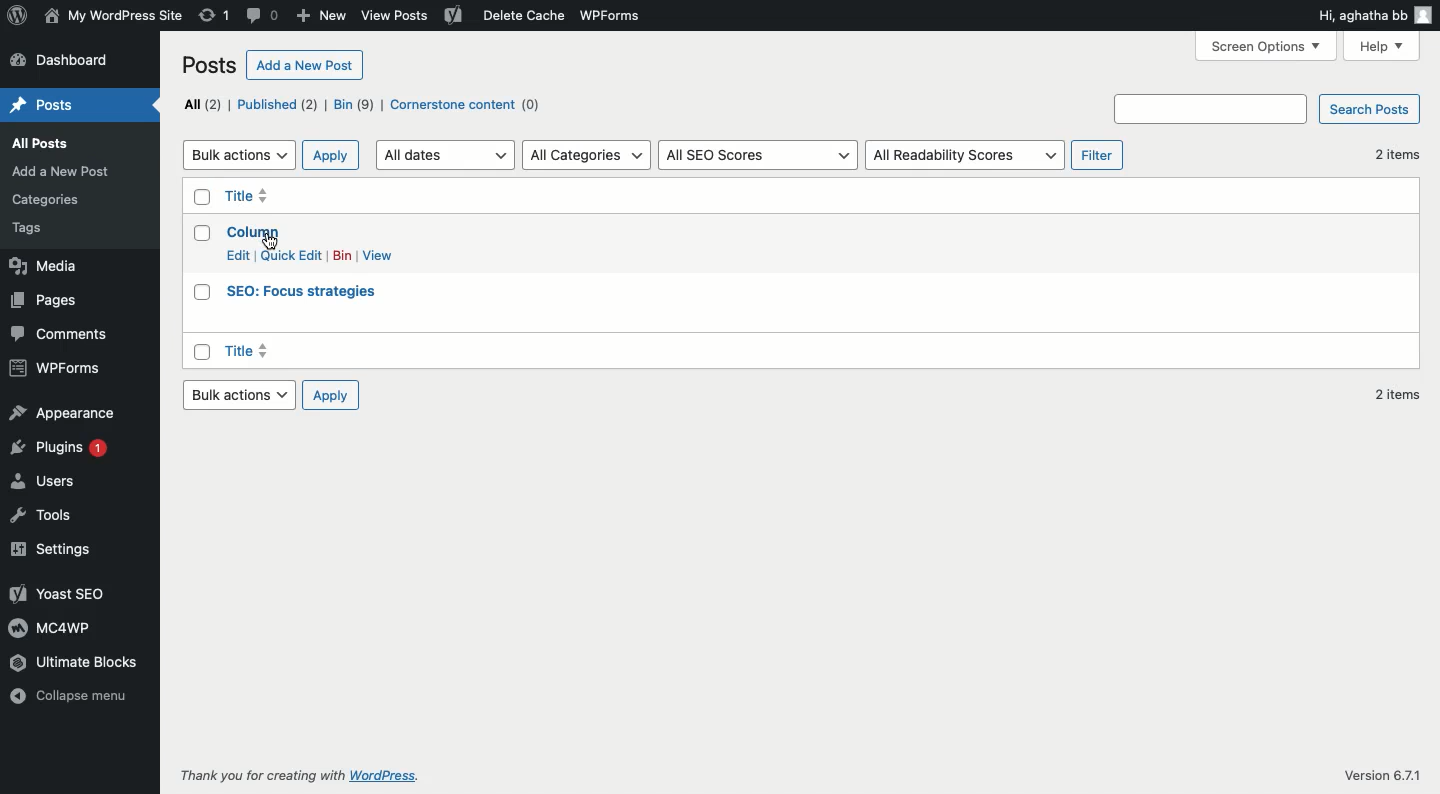 This screenshot has width=1440, height=794. What do you see at coordinates (331, 395) in the screenshot?
I see `Apply` at bounding box center [331, 395].